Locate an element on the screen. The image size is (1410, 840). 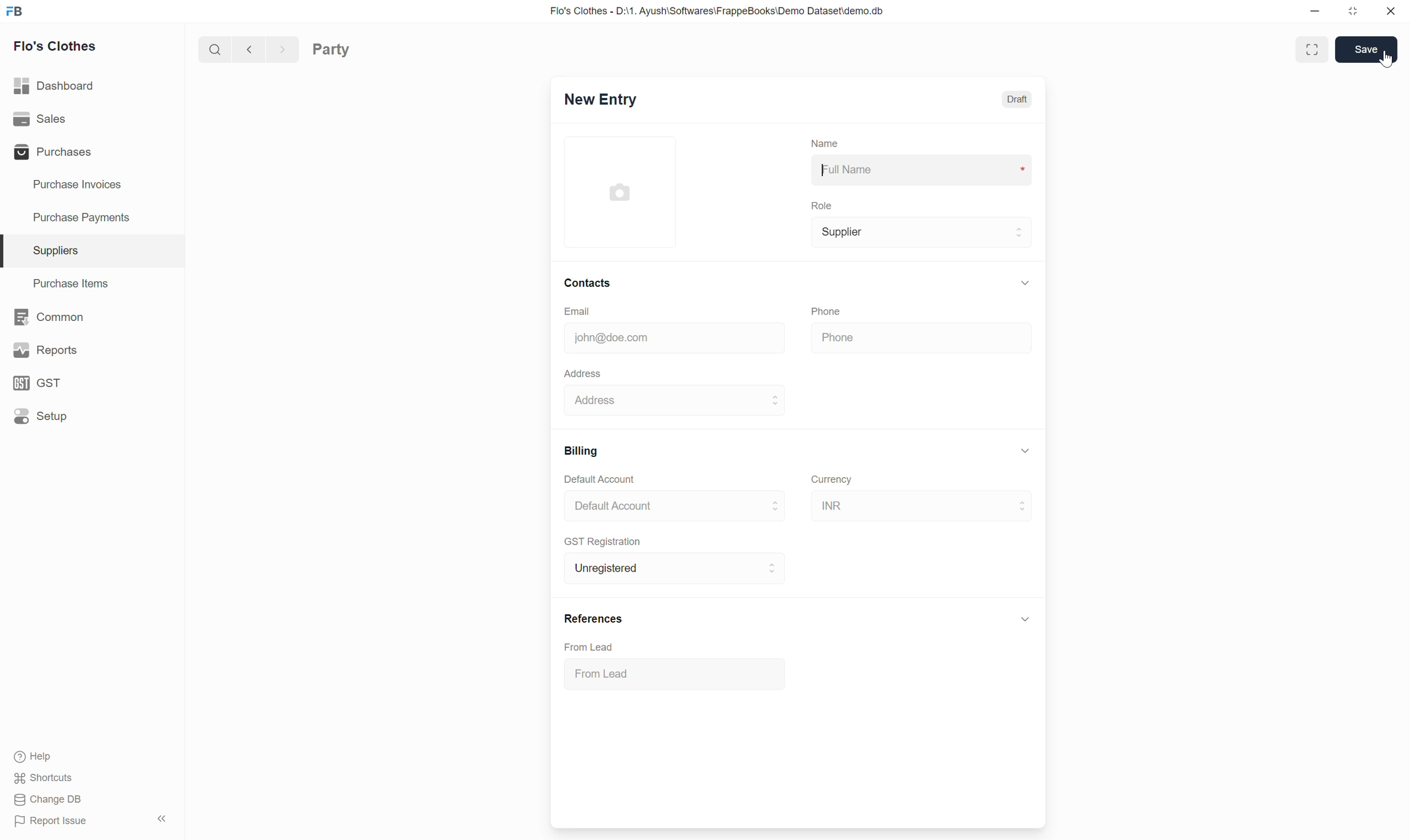
Unregistered is located at coordinates (675, 568).